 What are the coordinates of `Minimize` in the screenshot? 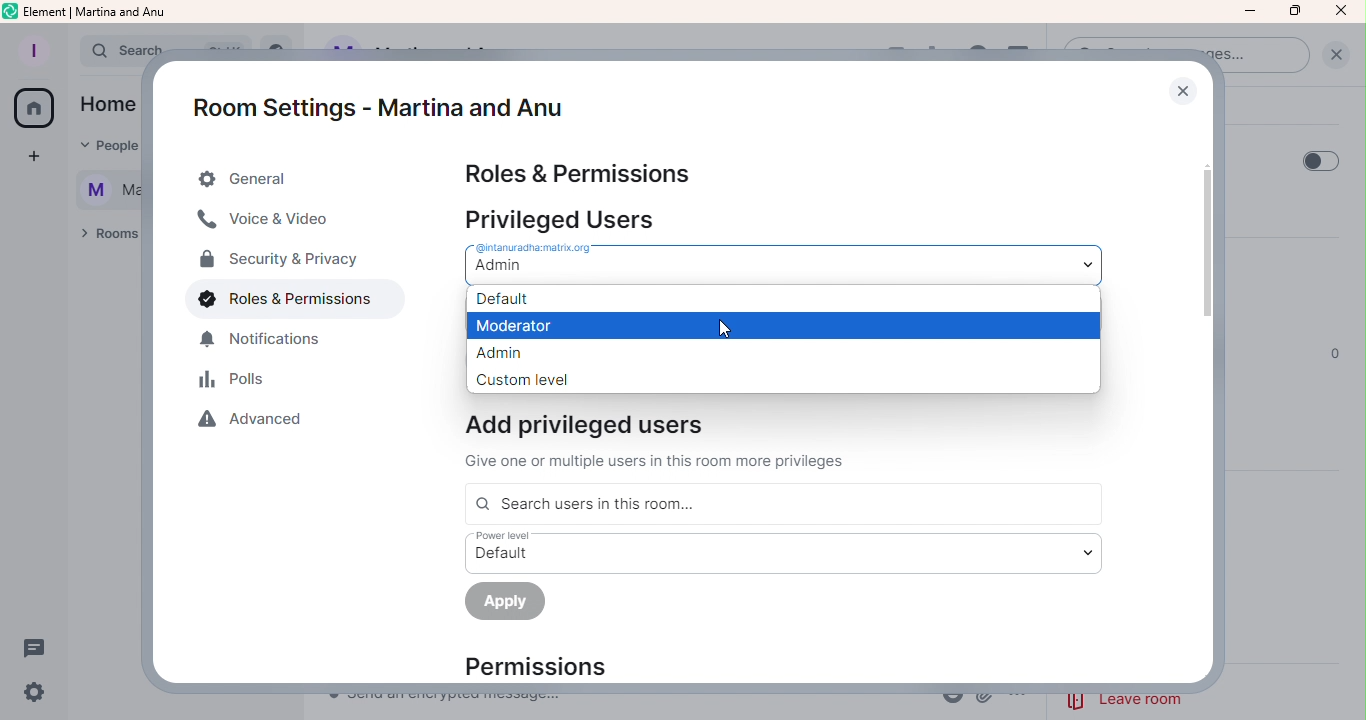 It's located at (1249, 11).